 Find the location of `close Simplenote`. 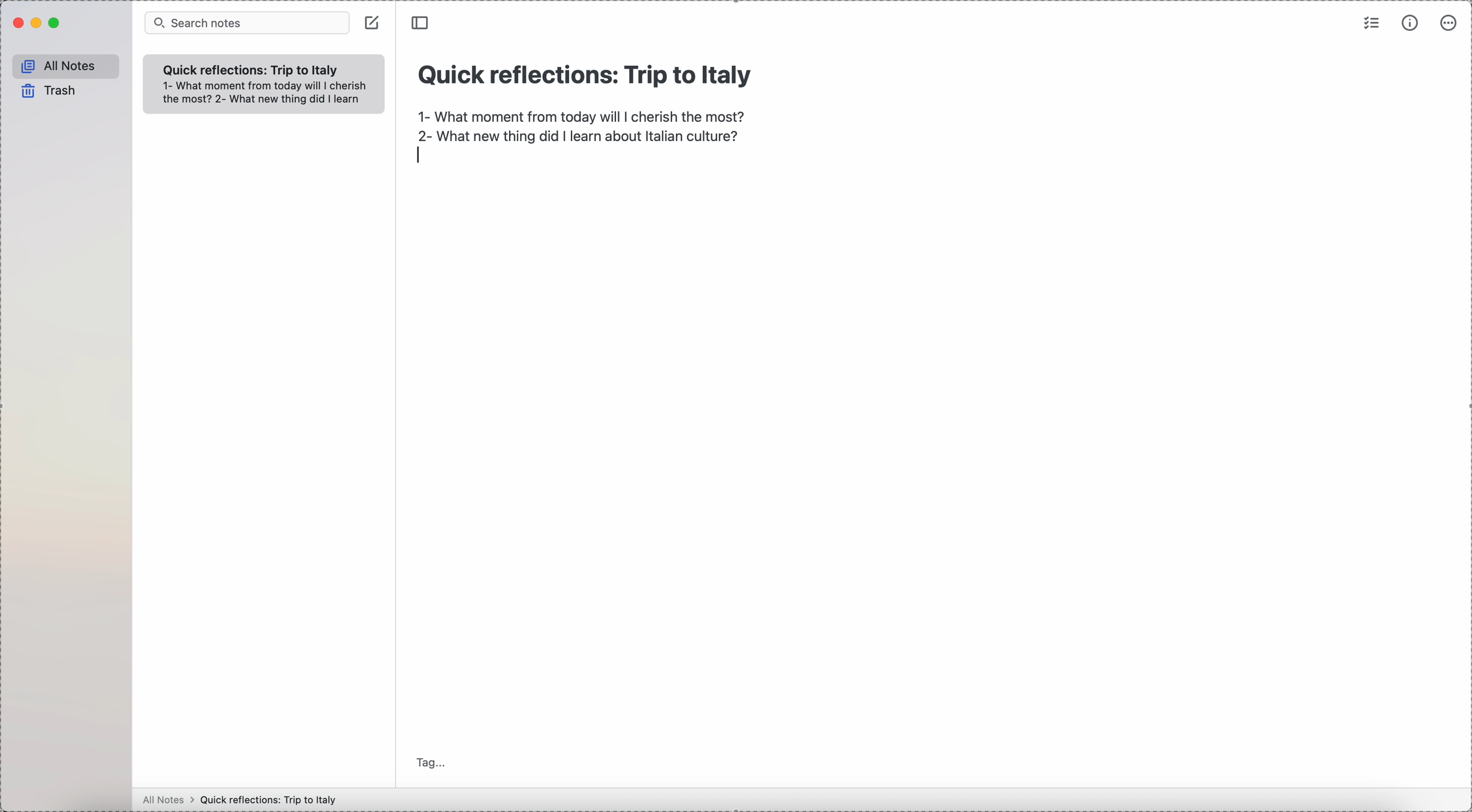

close Simplenote is located at coordinates (17, 23).